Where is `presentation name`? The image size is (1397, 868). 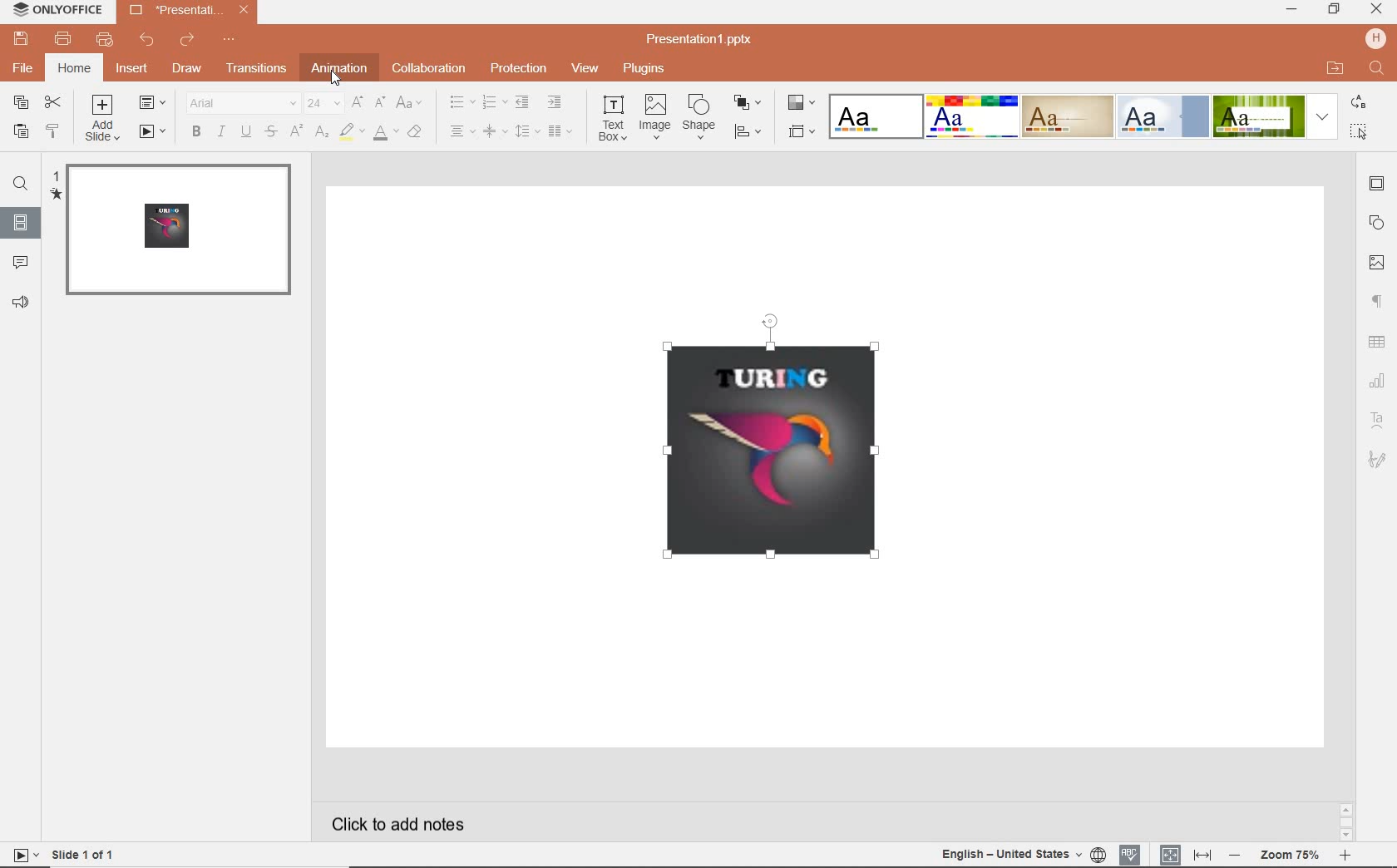
presentation name is located at coordinates (701, 41).